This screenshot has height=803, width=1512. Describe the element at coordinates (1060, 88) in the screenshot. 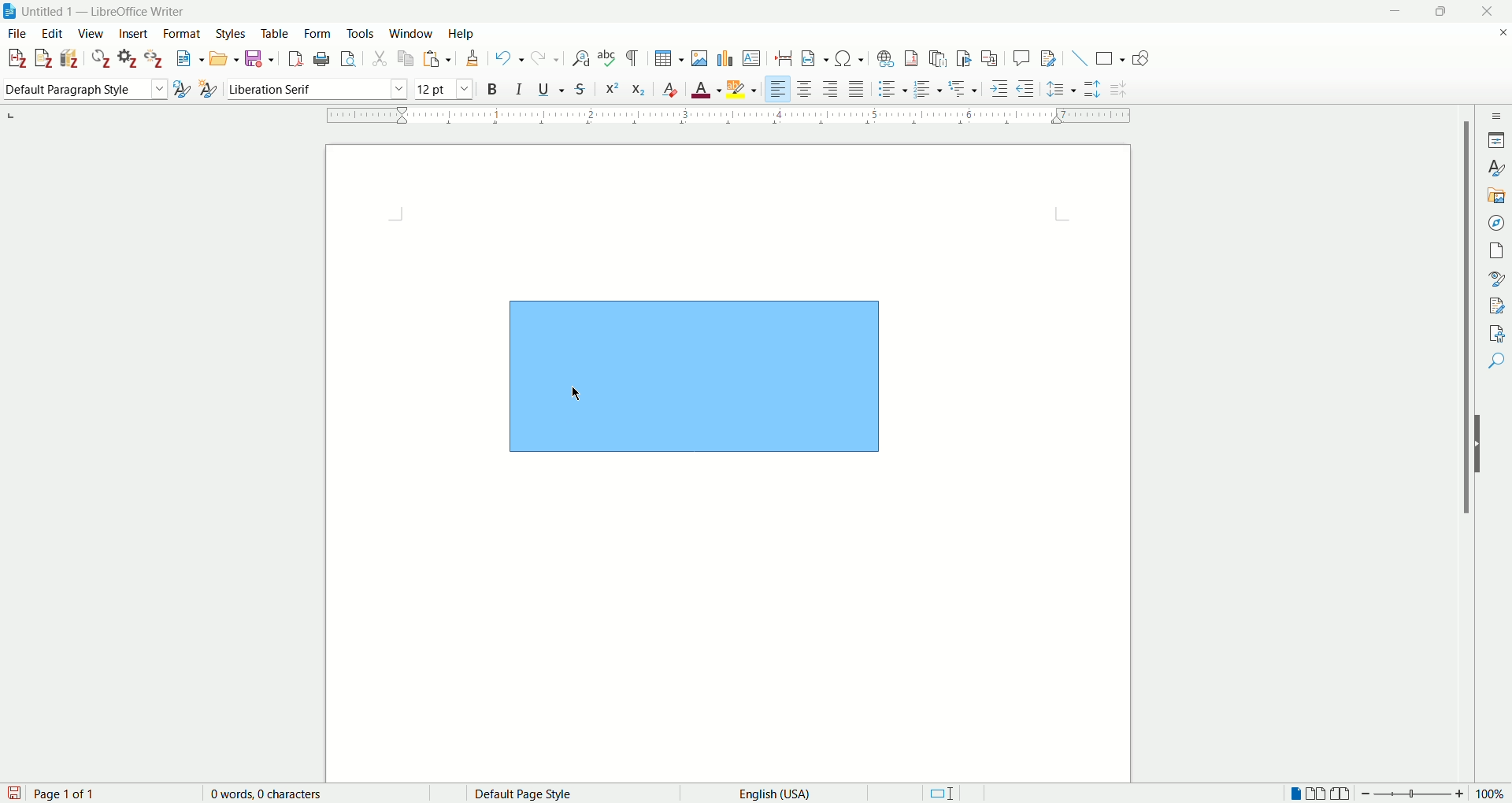

I see `set line spacing` at that location.